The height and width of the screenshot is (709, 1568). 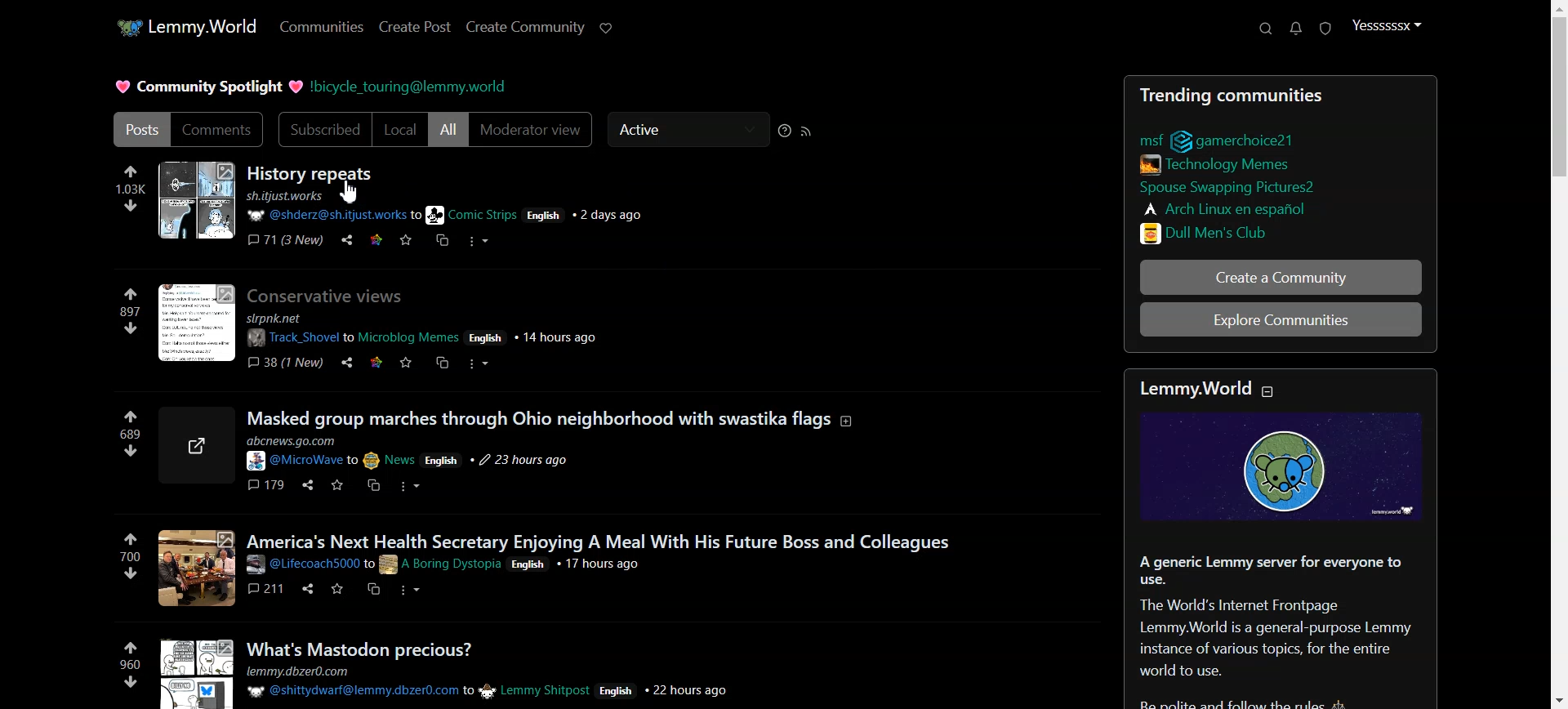 I want to click on Share, so click(x=345, y=362).